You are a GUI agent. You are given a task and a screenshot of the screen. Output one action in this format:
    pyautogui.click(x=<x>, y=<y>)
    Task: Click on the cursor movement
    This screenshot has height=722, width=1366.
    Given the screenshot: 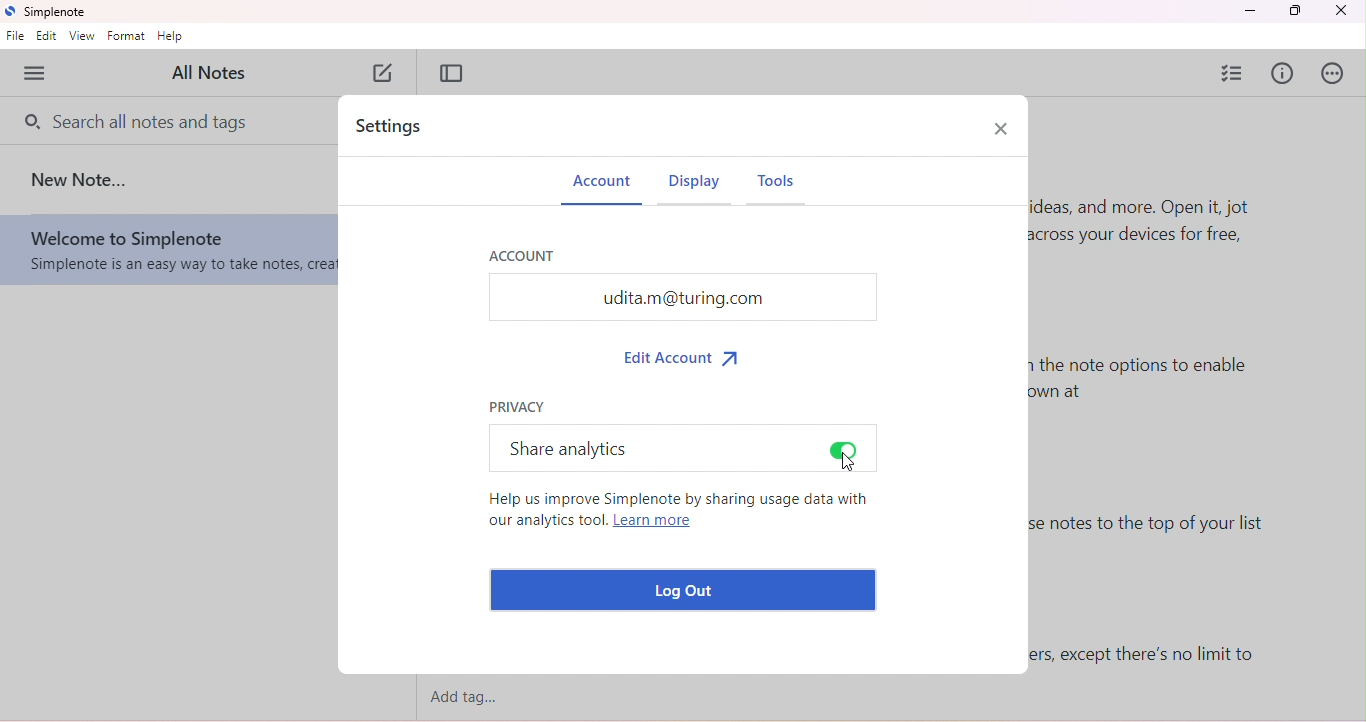 What is the action you would take?
    pyautogui.click(x=848, y=463)
    